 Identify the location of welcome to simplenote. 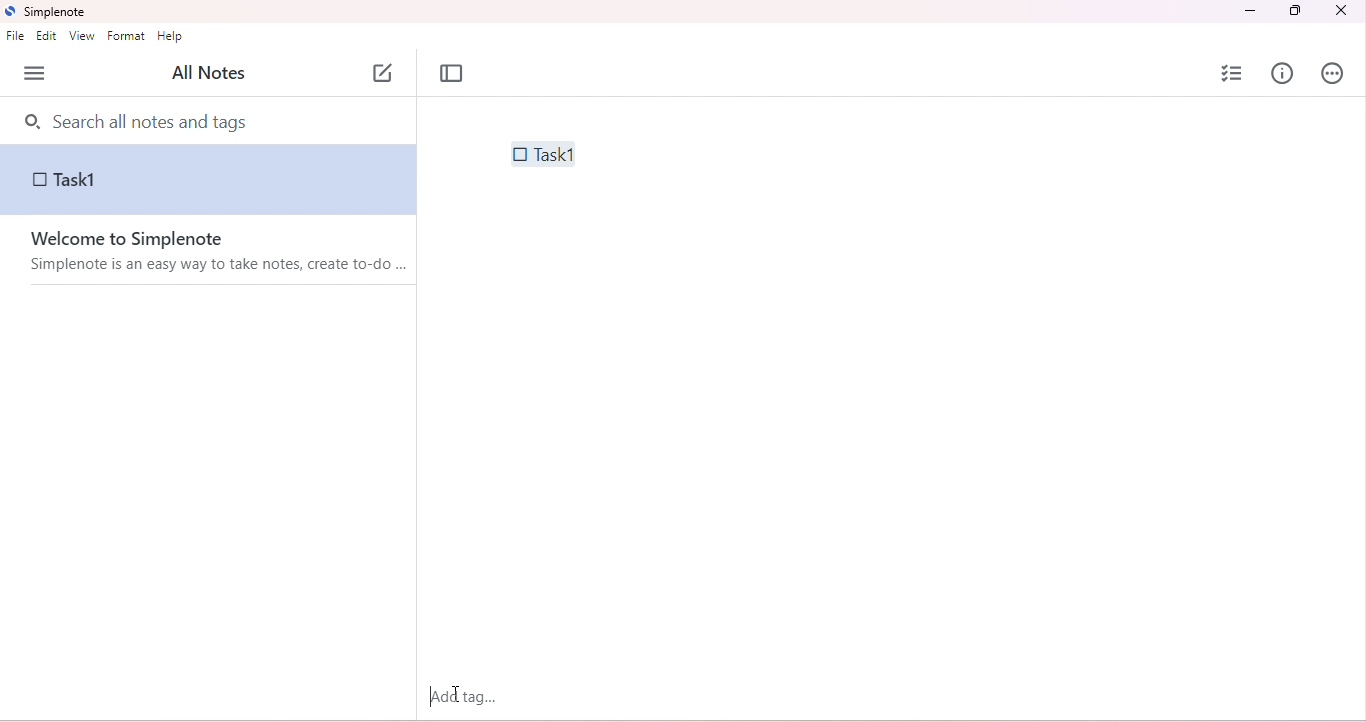
(142, 240).